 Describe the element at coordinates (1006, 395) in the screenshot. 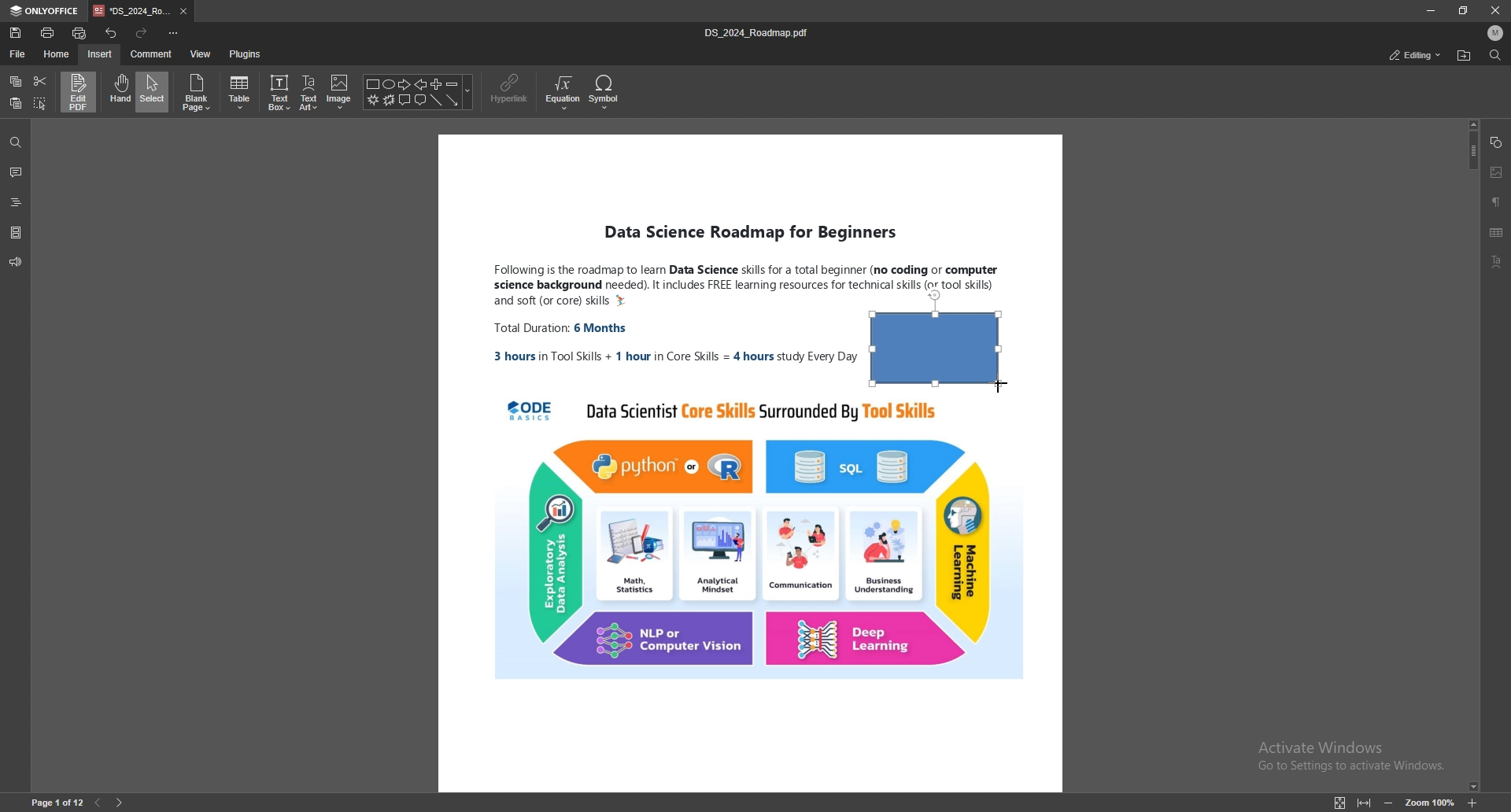

I see `cursor` at that location.